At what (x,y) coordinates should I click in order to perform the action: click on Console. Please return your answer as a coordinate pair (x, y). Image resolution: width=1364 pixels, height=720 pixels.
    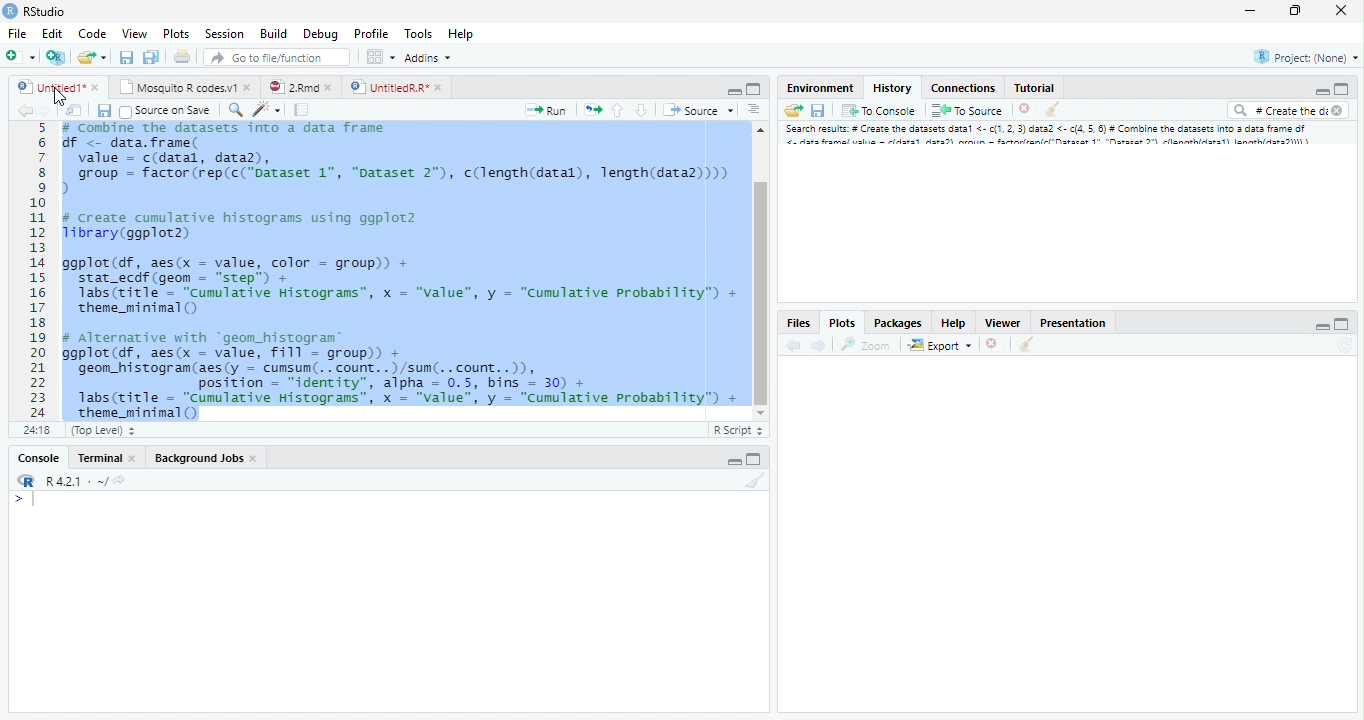
    Looking at the image, I should click on (42, 457).